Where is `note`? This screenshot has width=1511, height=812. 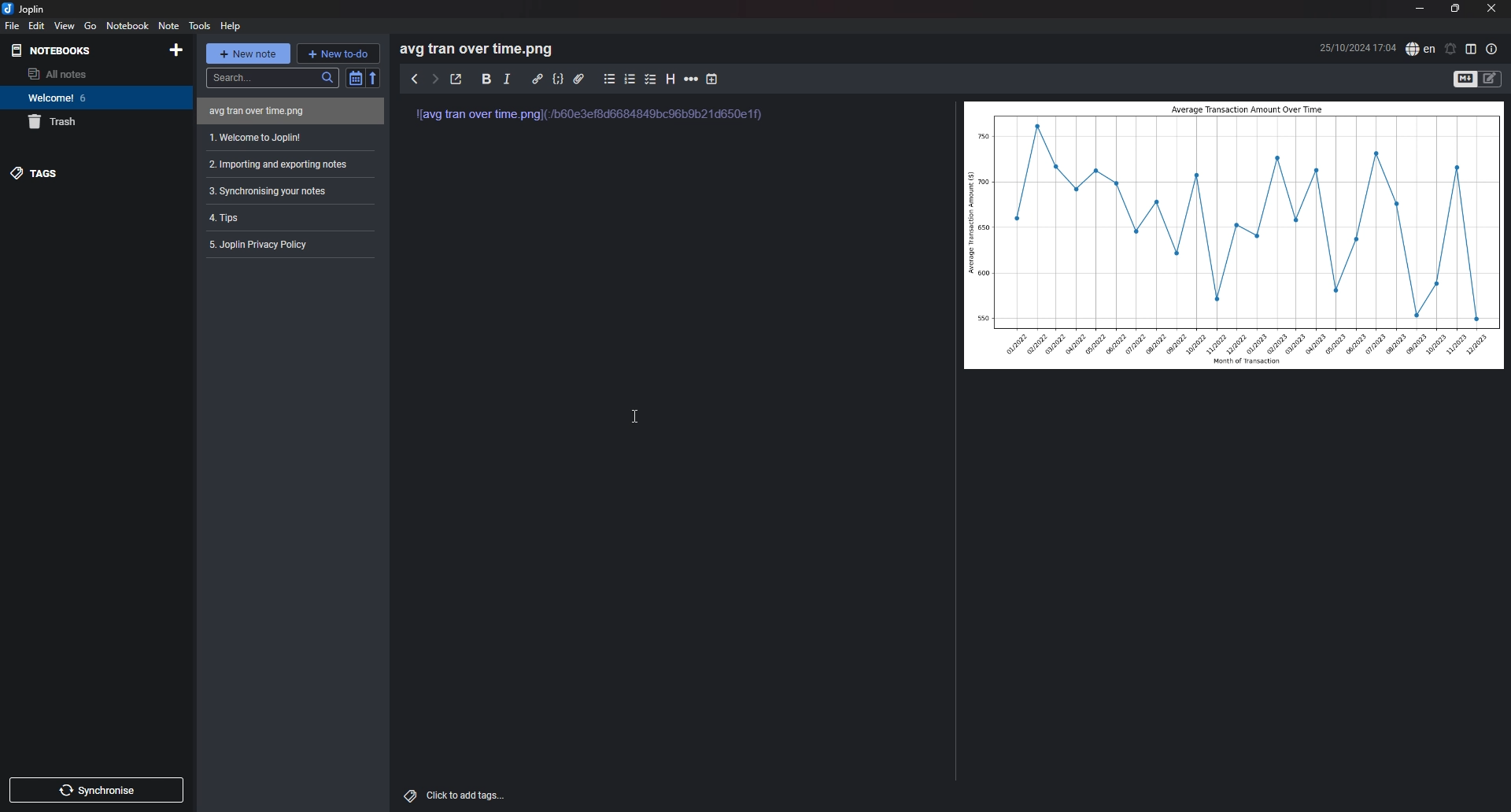 note is located at coordinates (169, 25).